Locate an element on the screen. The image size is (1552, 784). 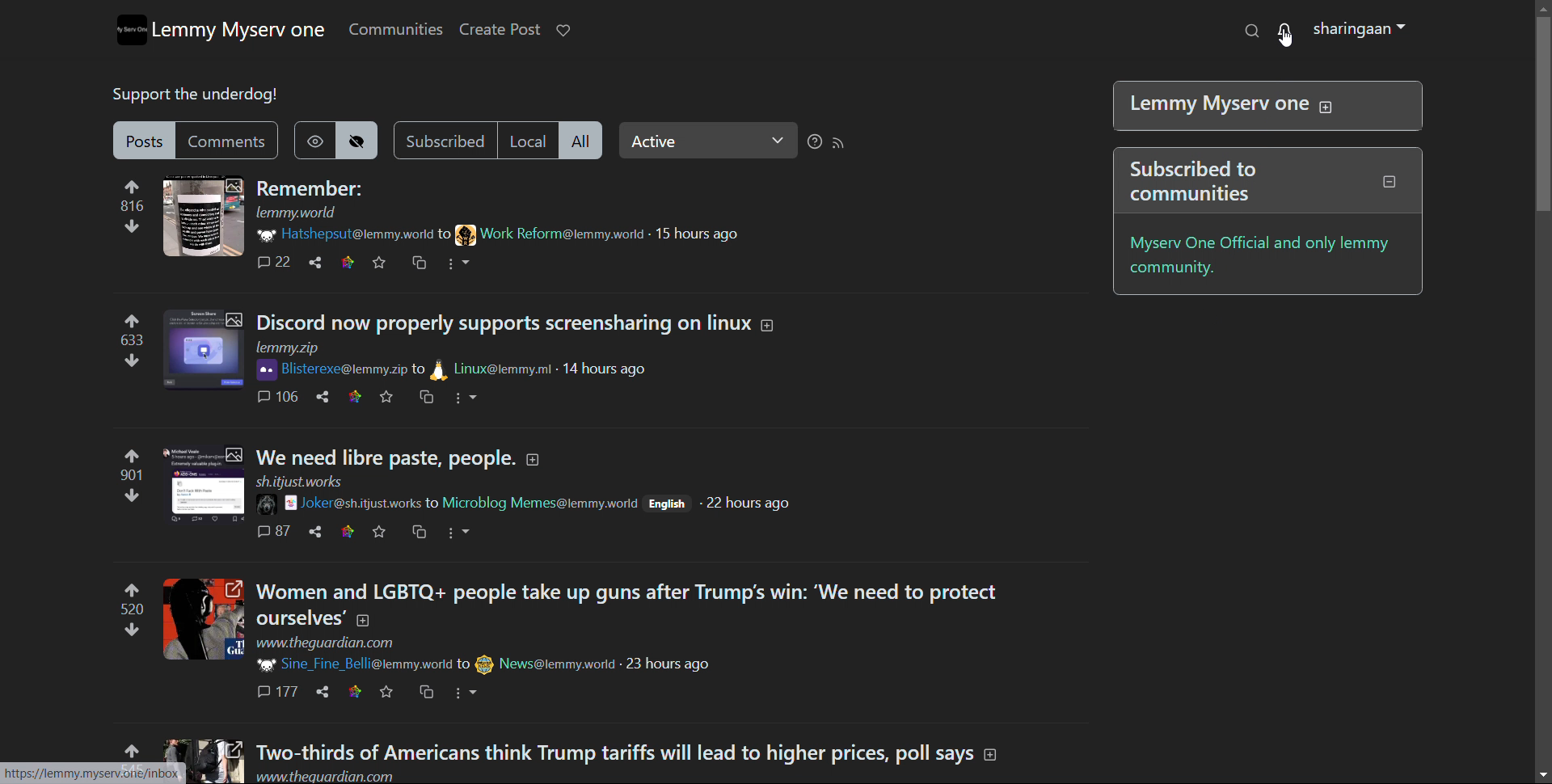
Post on "Lemmy Myserv one" is located at coordinates (1261, 105).